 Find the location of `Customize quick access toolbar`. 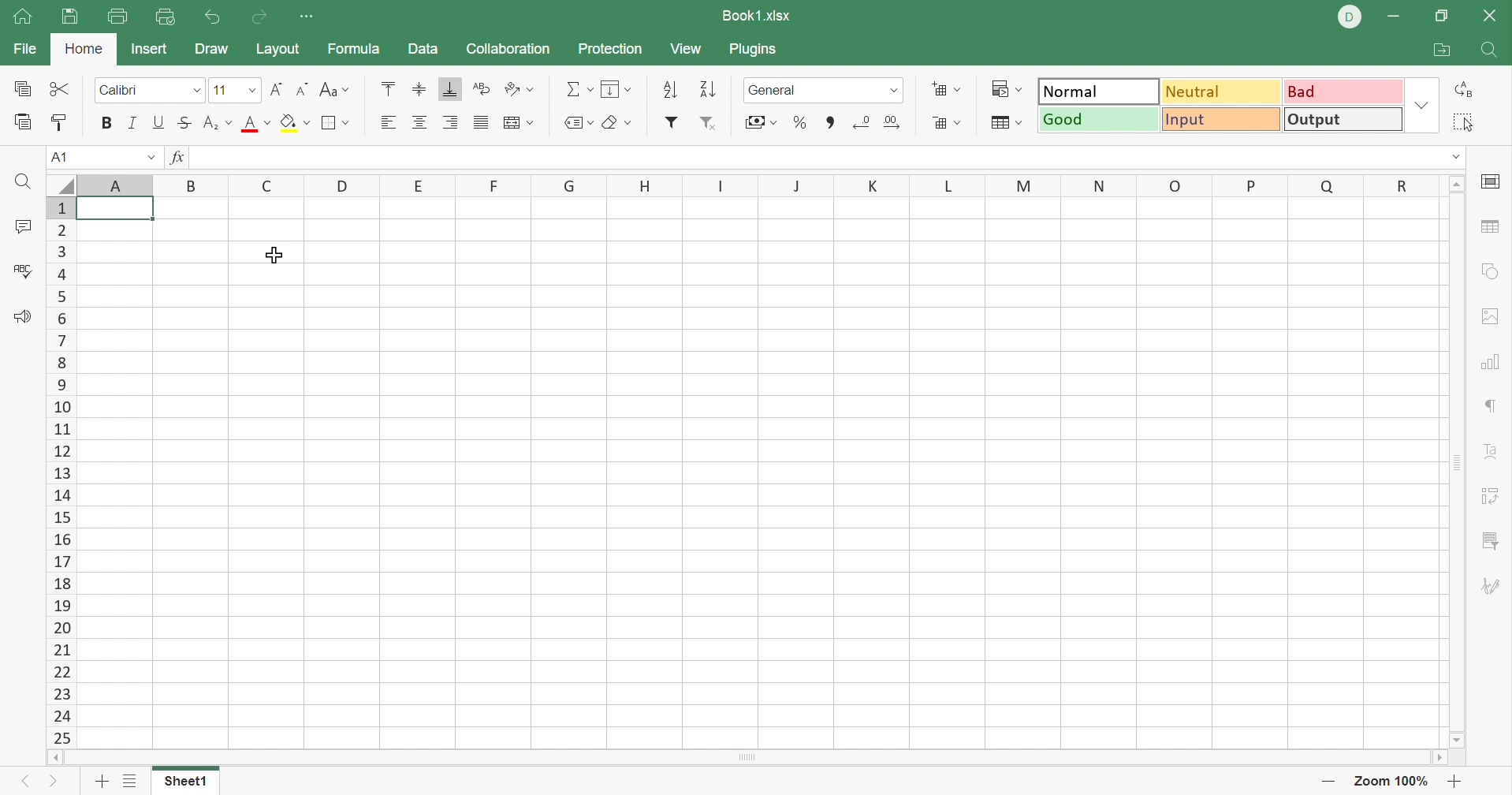

Customize quick access toolbar is located at coordinates (310, 17).